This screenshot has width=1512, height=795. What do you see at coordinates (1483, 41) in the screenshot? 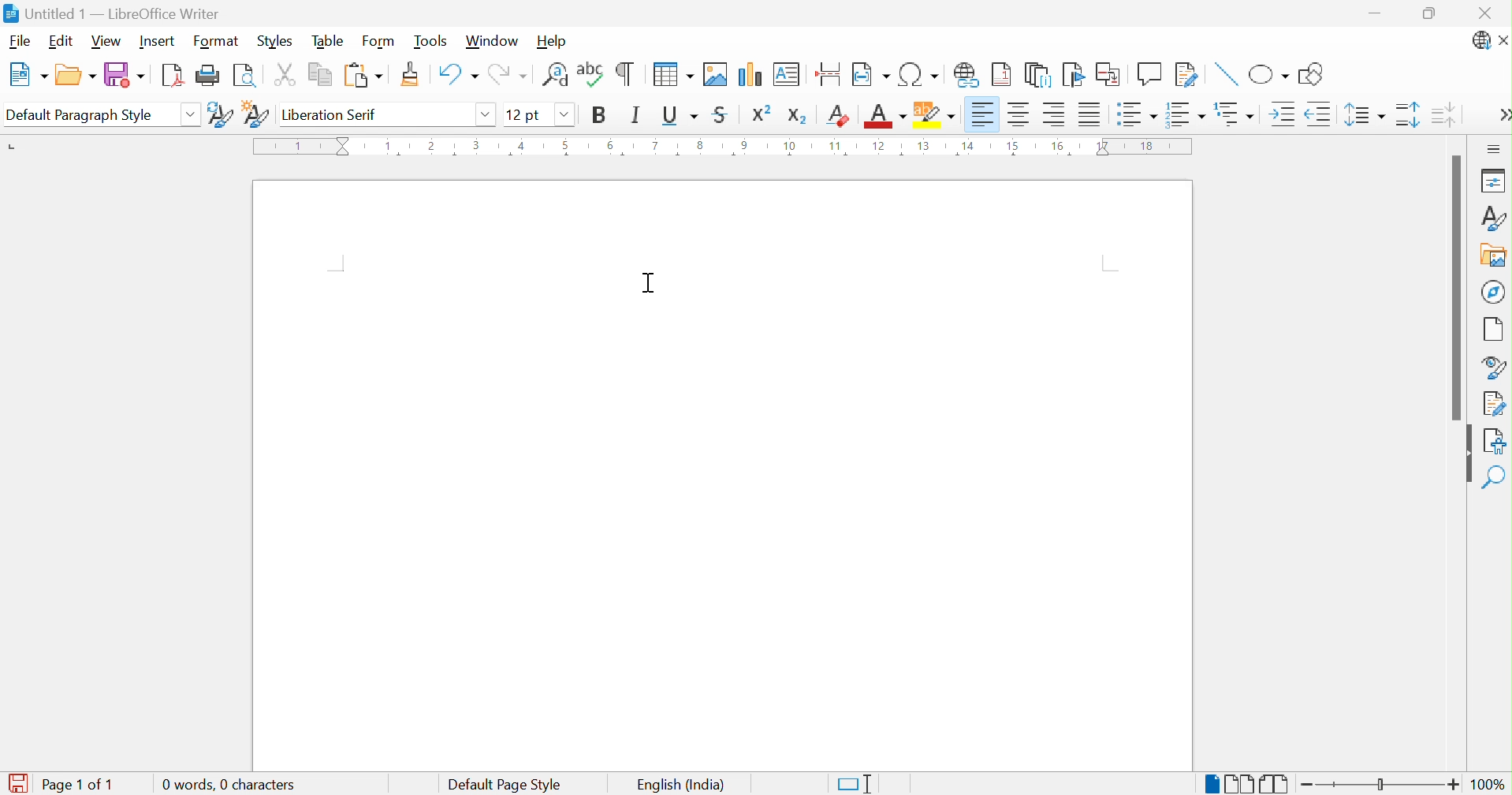
I see `LibreOffice update available` at bounding box center [1483, 41].